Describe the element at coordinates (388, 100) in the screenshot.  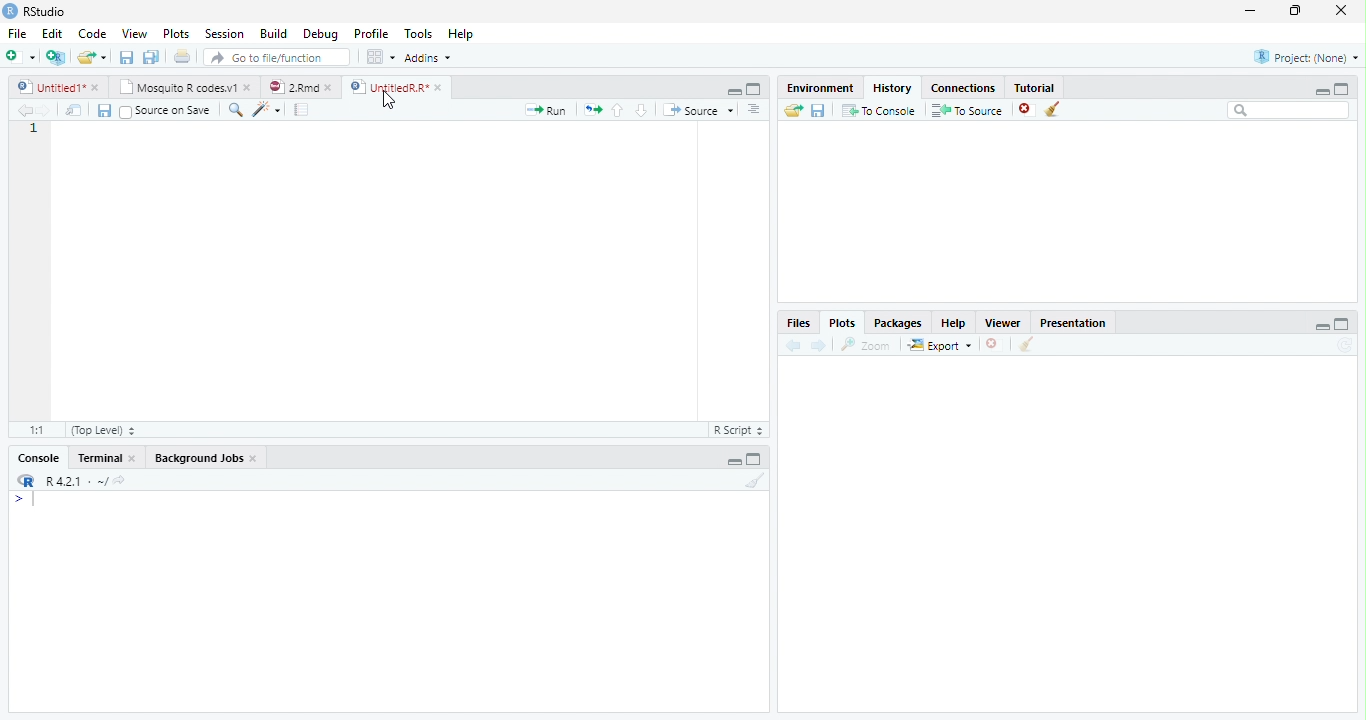
I see `Cursor` at that location.